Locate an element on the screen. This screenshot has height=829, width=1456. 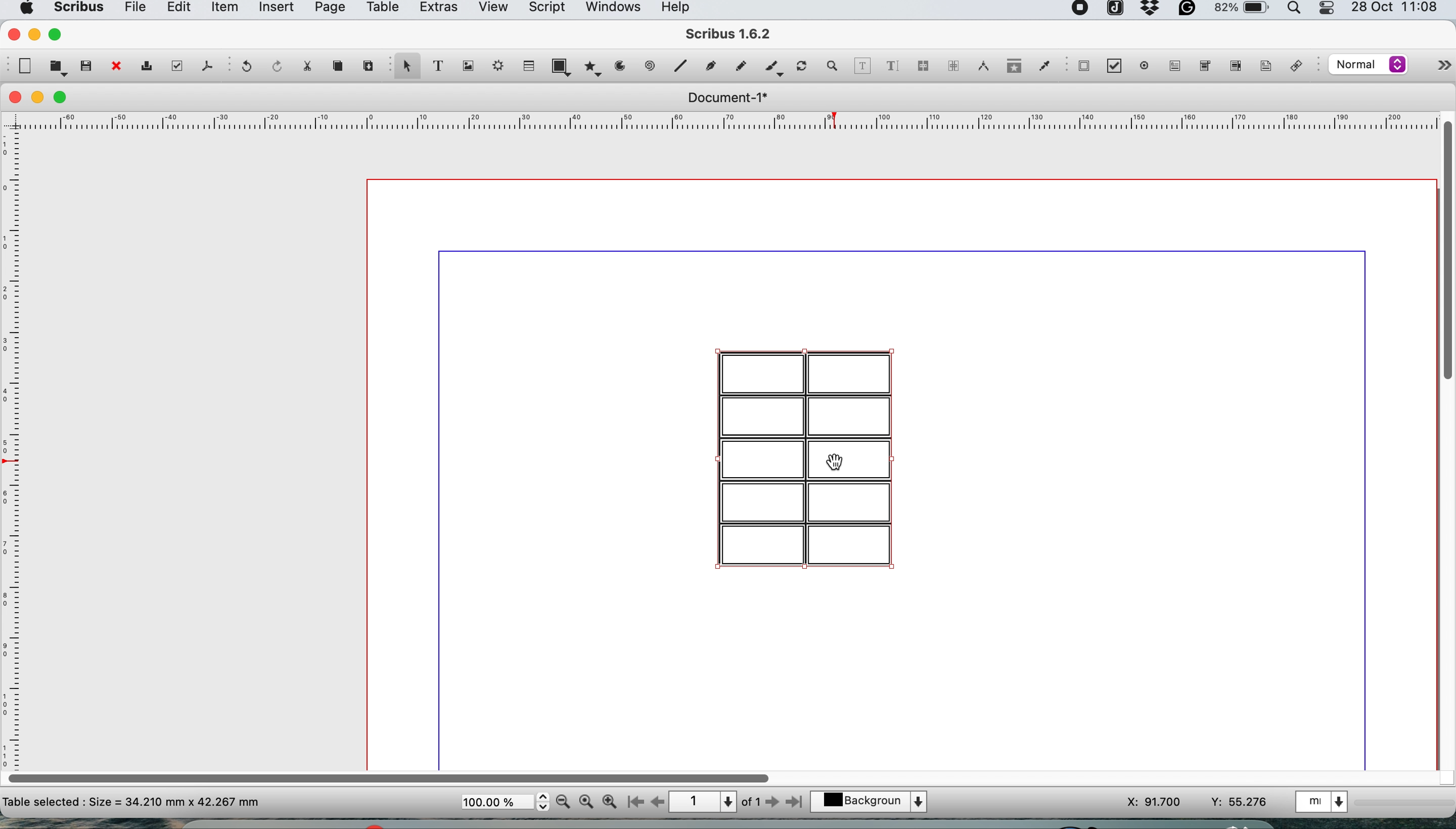
pdf combo box is located at coordinates (1203, 69).